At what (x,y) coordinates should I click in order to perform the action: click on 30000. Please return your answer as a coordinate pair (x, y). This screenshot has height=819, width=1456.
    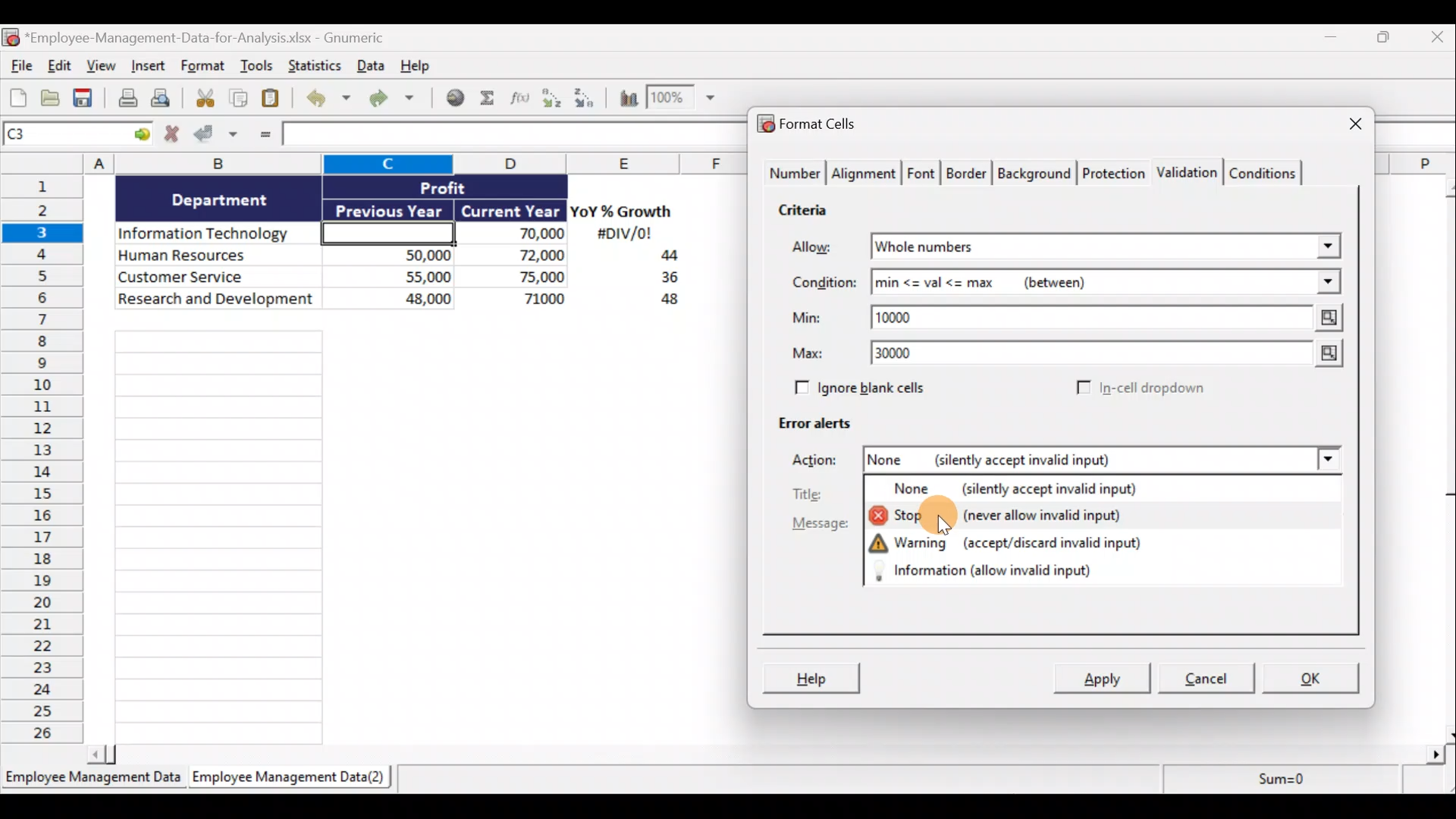
    Looking at the image, I should click on (904, 355).